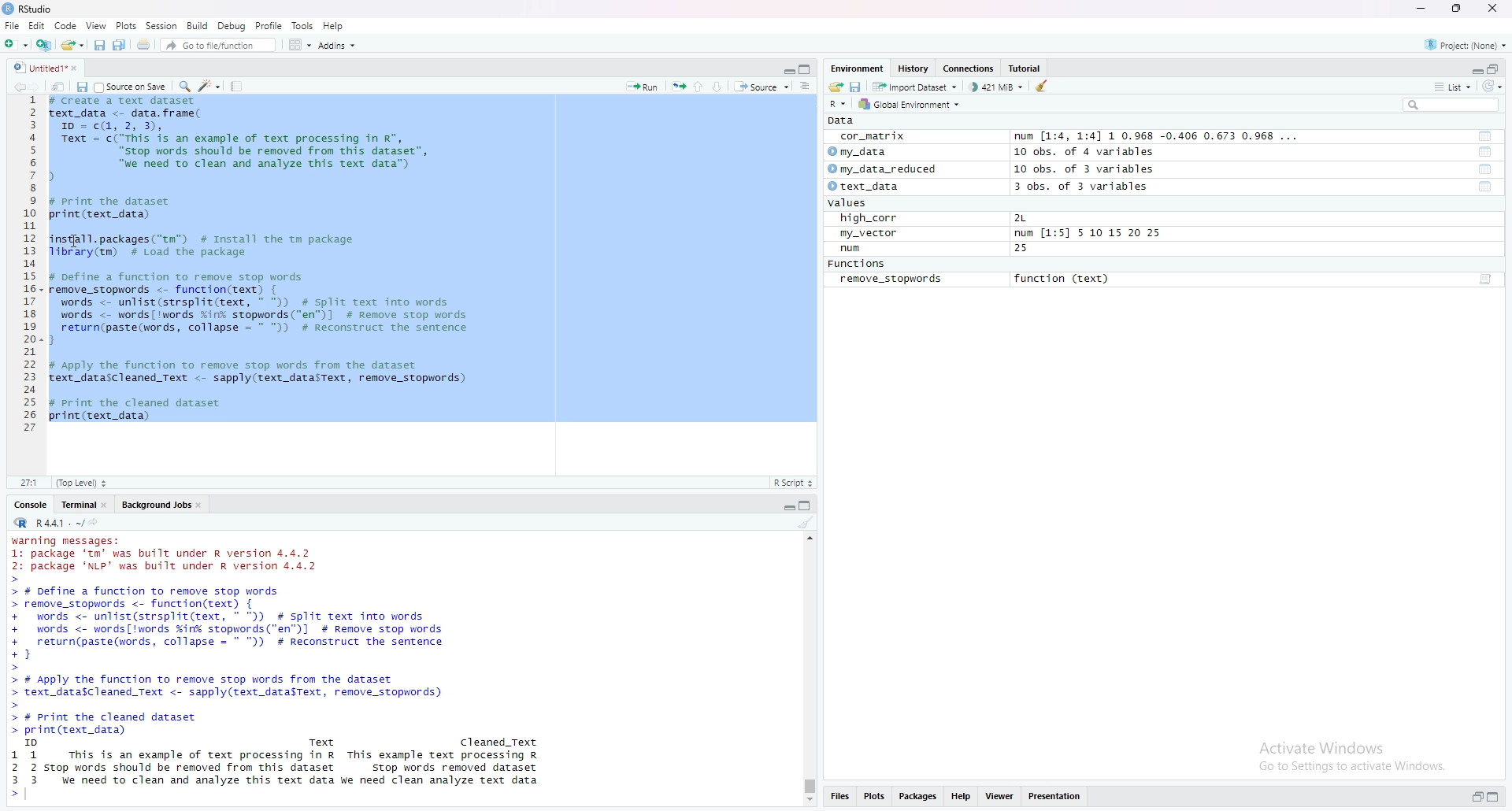 The height and width of the screenshot is (811, 1512). Describe the element at coordinates (1480, 280) in the screenshot. I see `function` at that location.